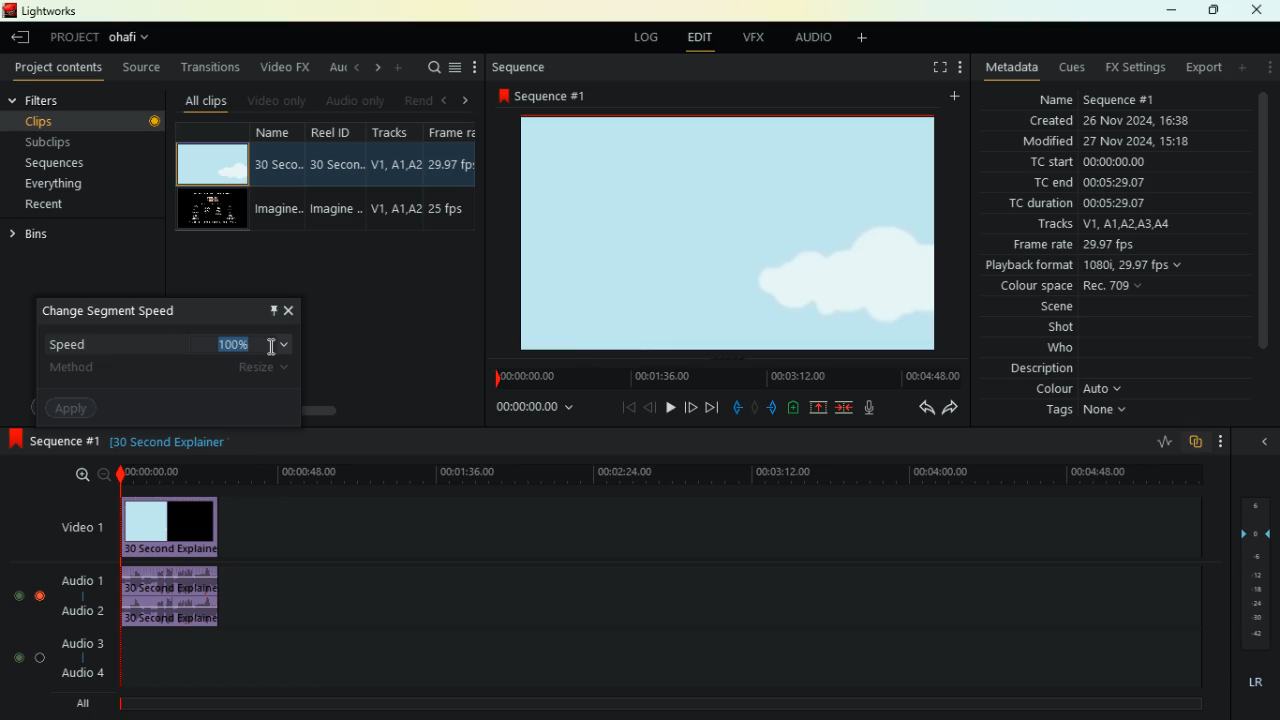 Image resolution: width=1280 pixels, height=720 pixels. Describe the element at coordinates (86, 672) in the screenshot. I see `audio4` at that location.